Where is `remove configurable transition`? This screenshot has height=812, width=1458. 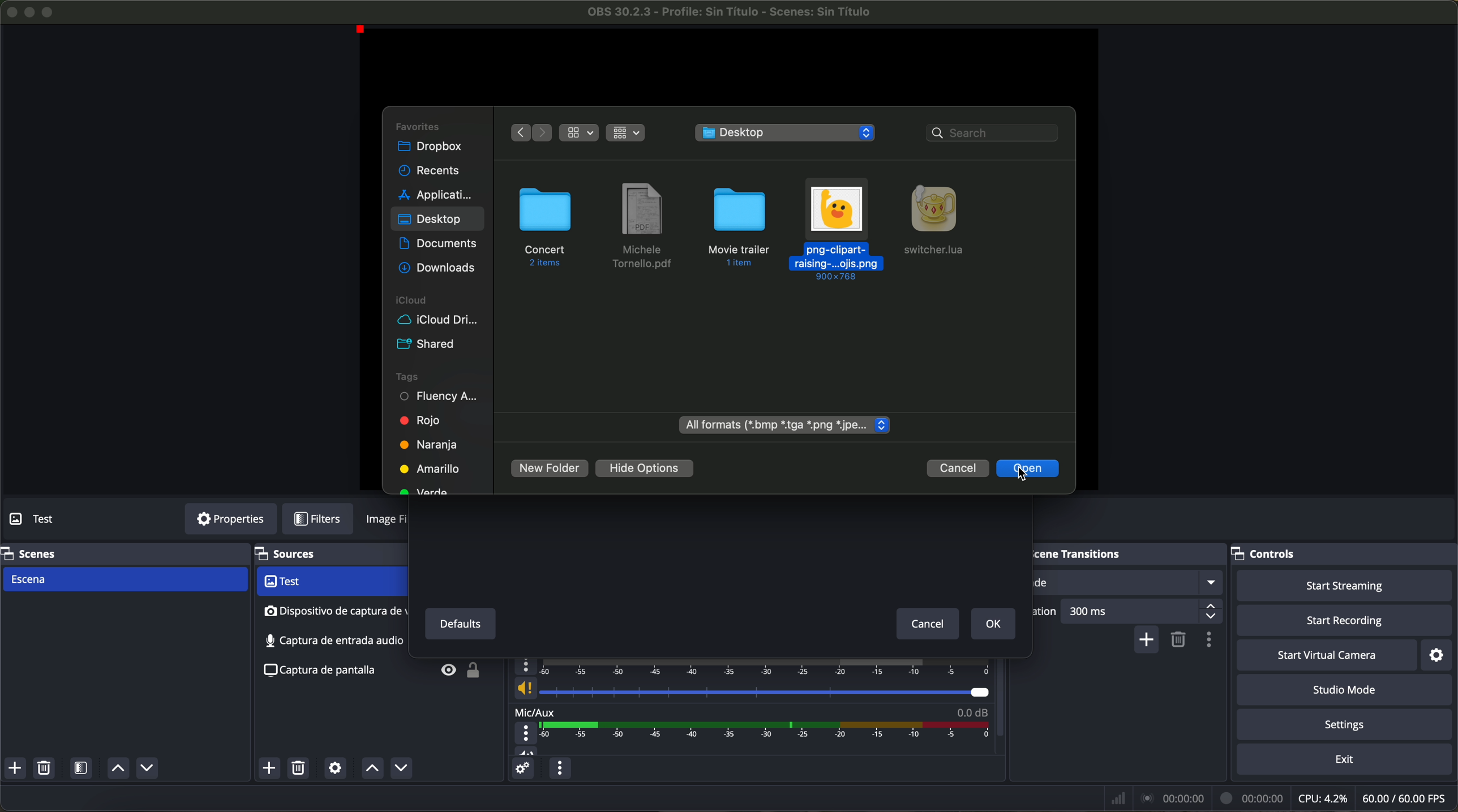
remove configurable transition is located at coordinates (1180, 641).